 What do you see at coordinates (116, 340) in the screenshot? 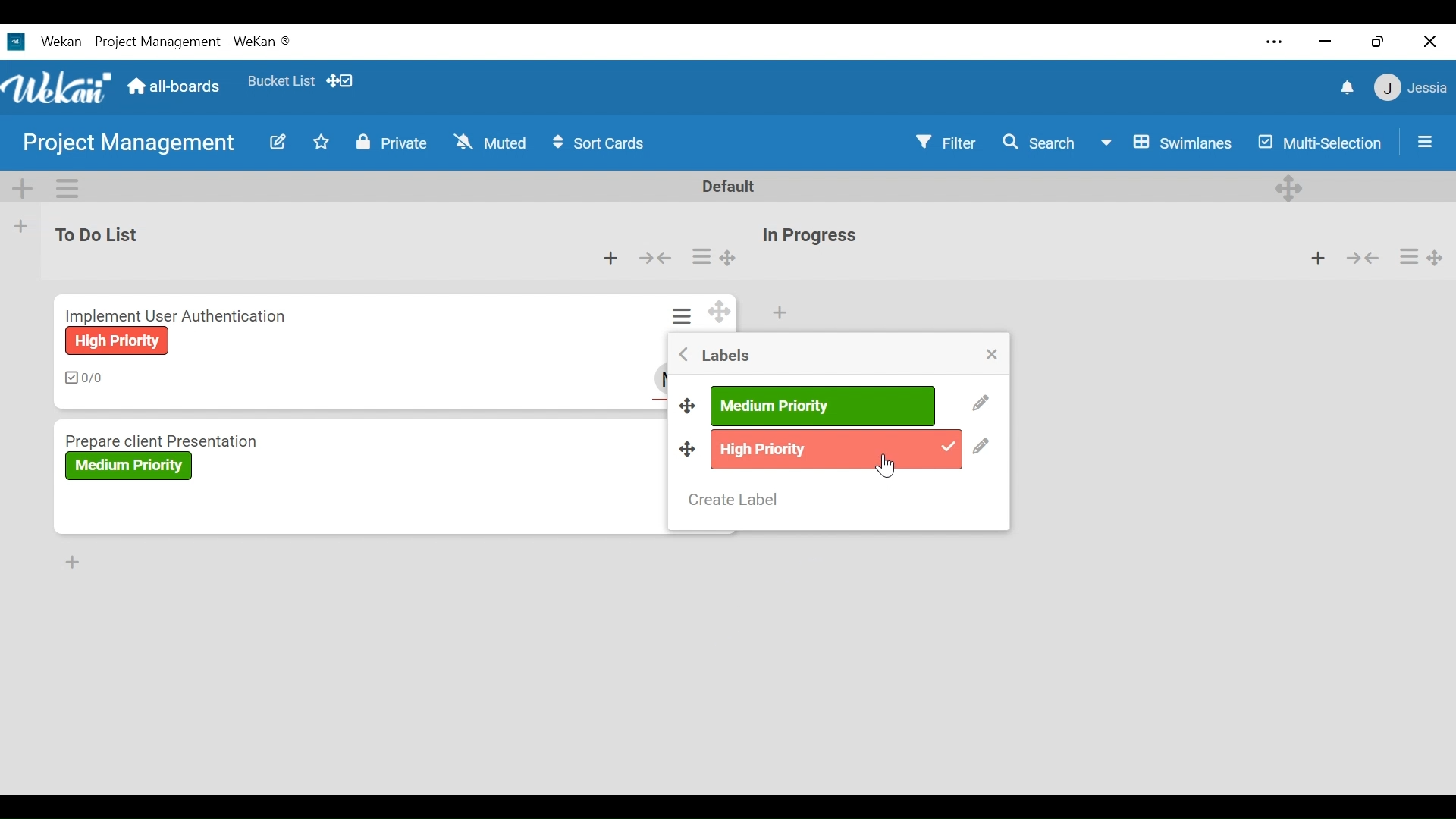
I see `Label` at bounding box center [116, 340].